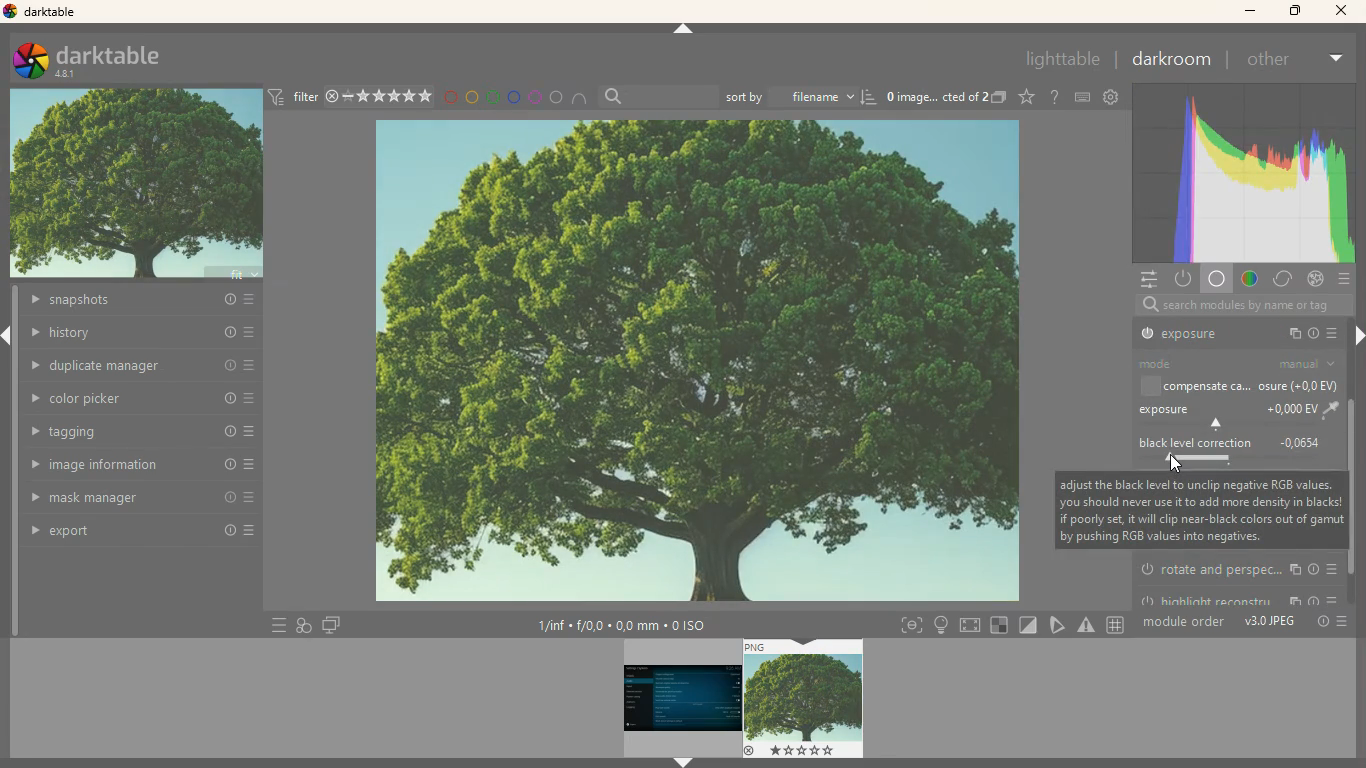 Image resolution: width=1366 pixels, height=768 pixels. I want to click on change, so click(1283, 280).